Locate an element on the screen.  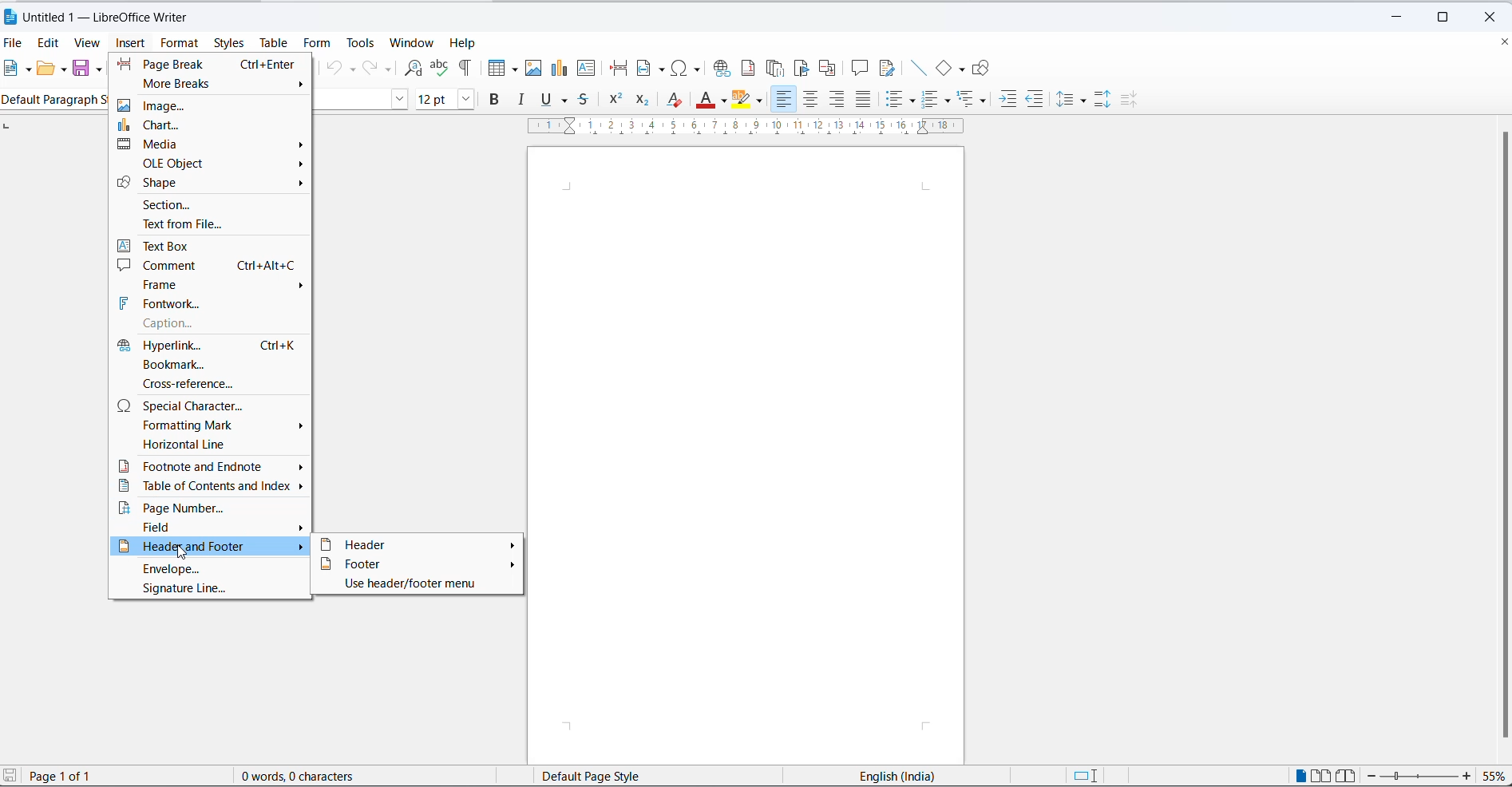
caption is located at coordinates (214, 324).